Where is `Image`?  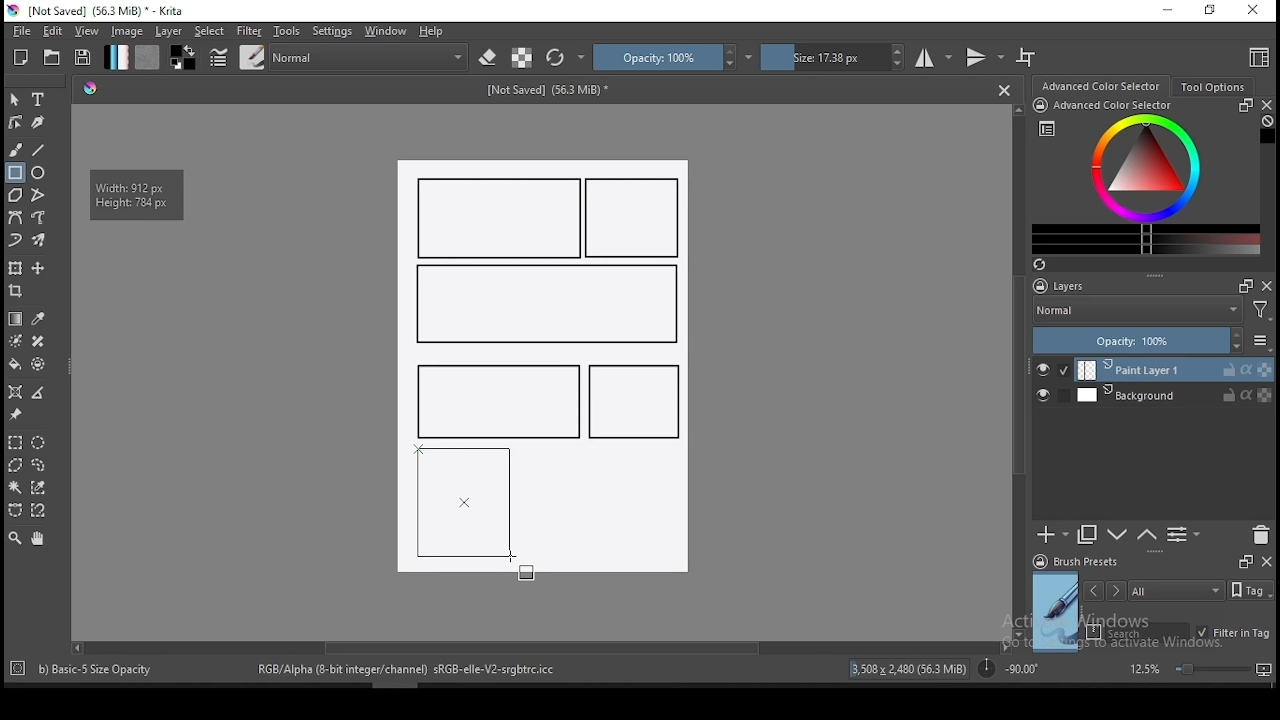 Image is located at coordinates (614, 515).